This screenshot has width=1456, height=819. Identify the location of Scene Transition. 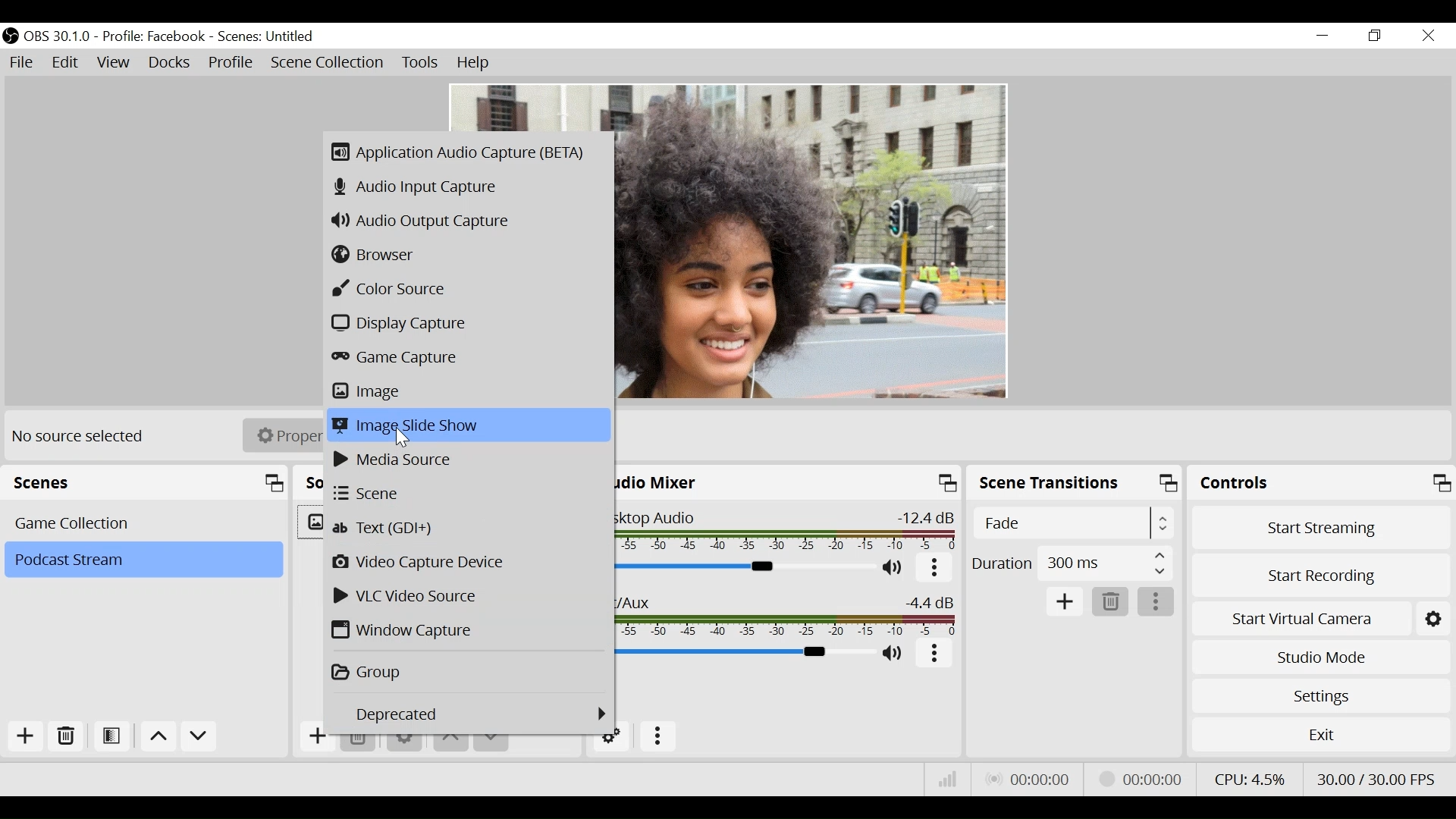
(1076, 485).